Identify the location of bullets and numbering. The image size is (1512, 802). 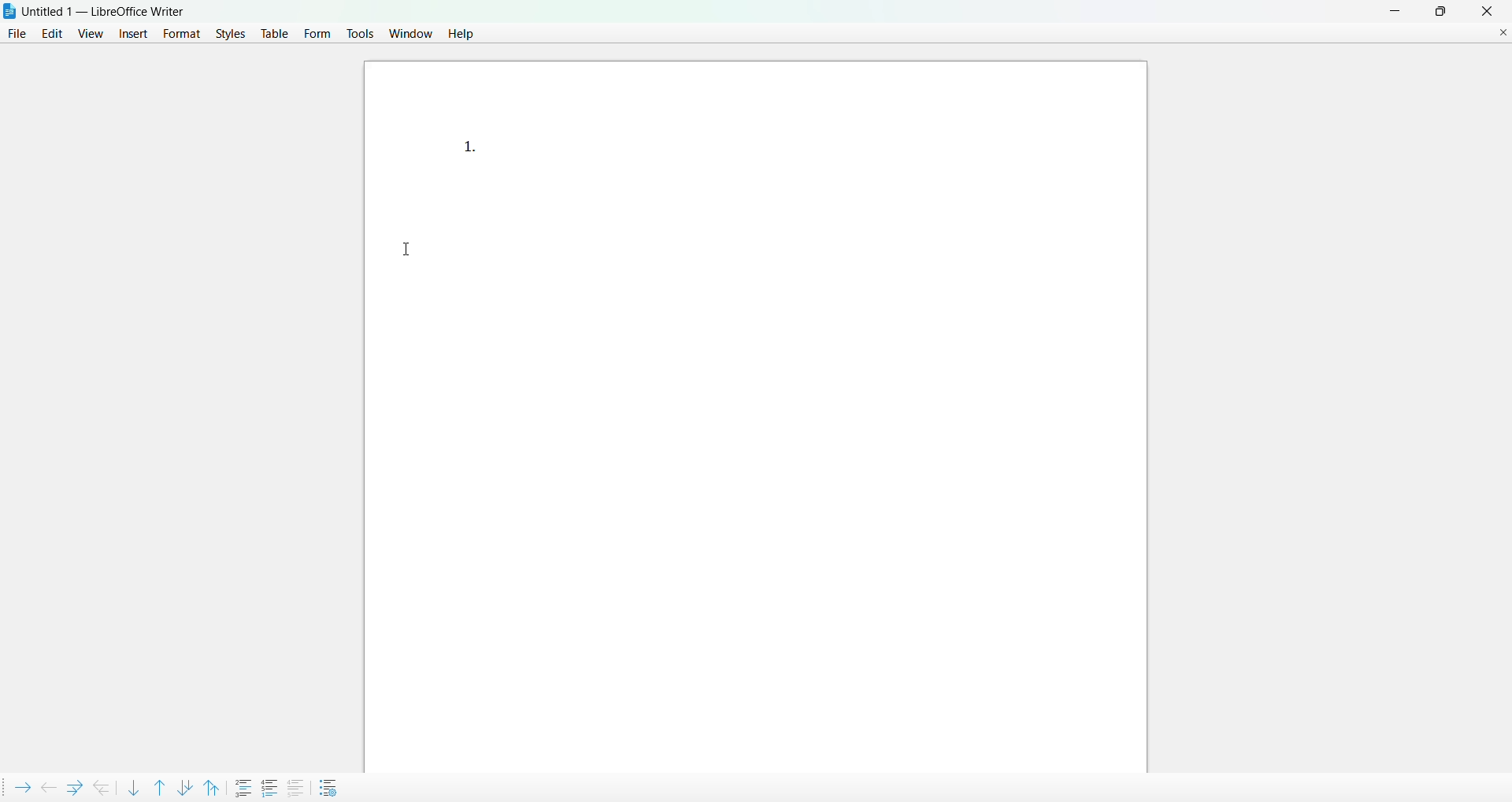
(331, 787).